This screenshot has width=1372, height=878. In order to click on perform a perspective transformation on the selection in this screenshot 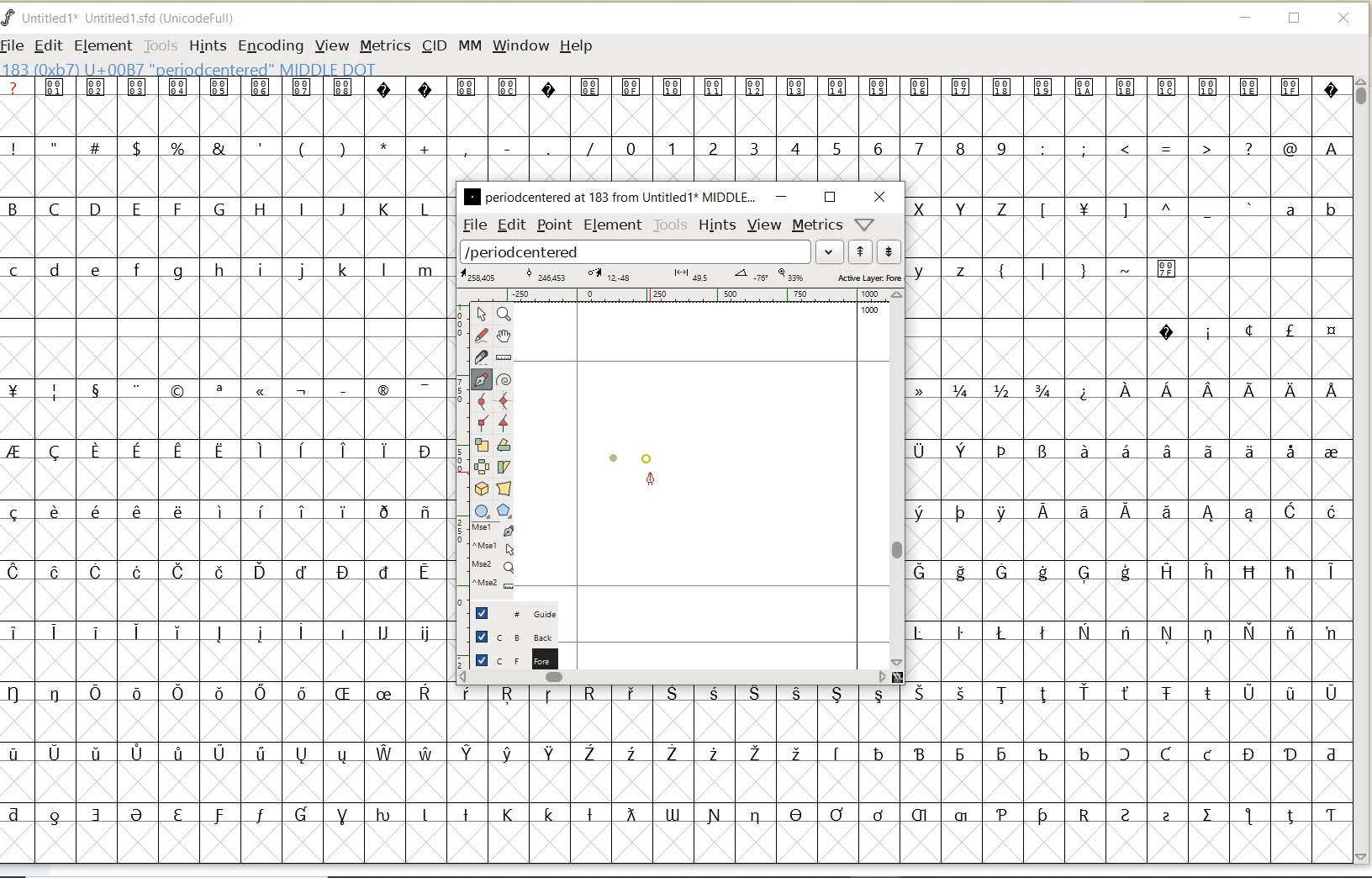, I will do `click(504, 489)`.